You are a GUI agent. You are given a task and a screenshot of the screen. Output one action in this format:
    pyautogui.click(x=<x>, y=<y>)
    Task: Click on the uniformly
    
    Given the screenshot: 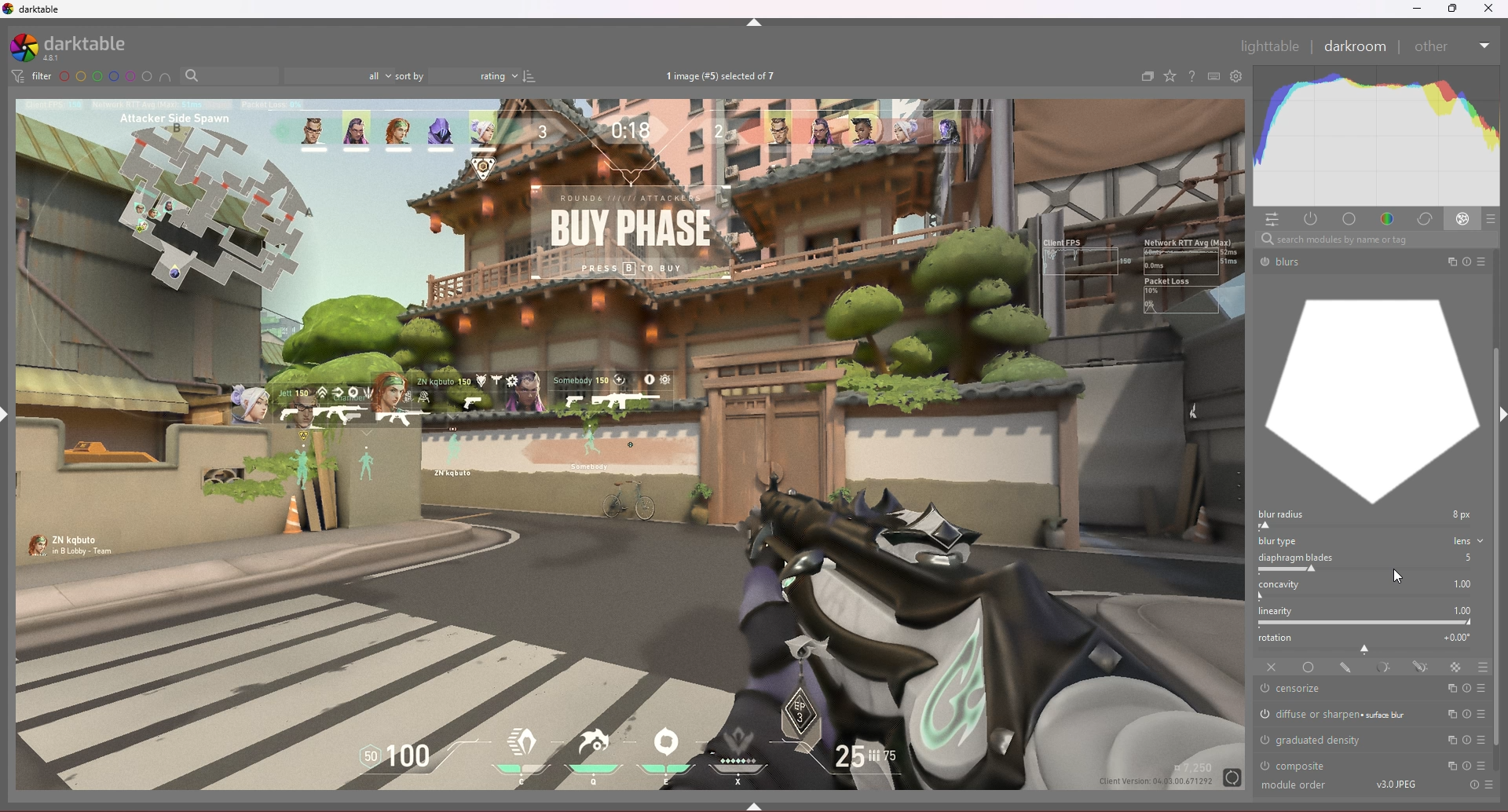 What is the action you would take?
    pyautogui.click(x=1309, y=668)
    